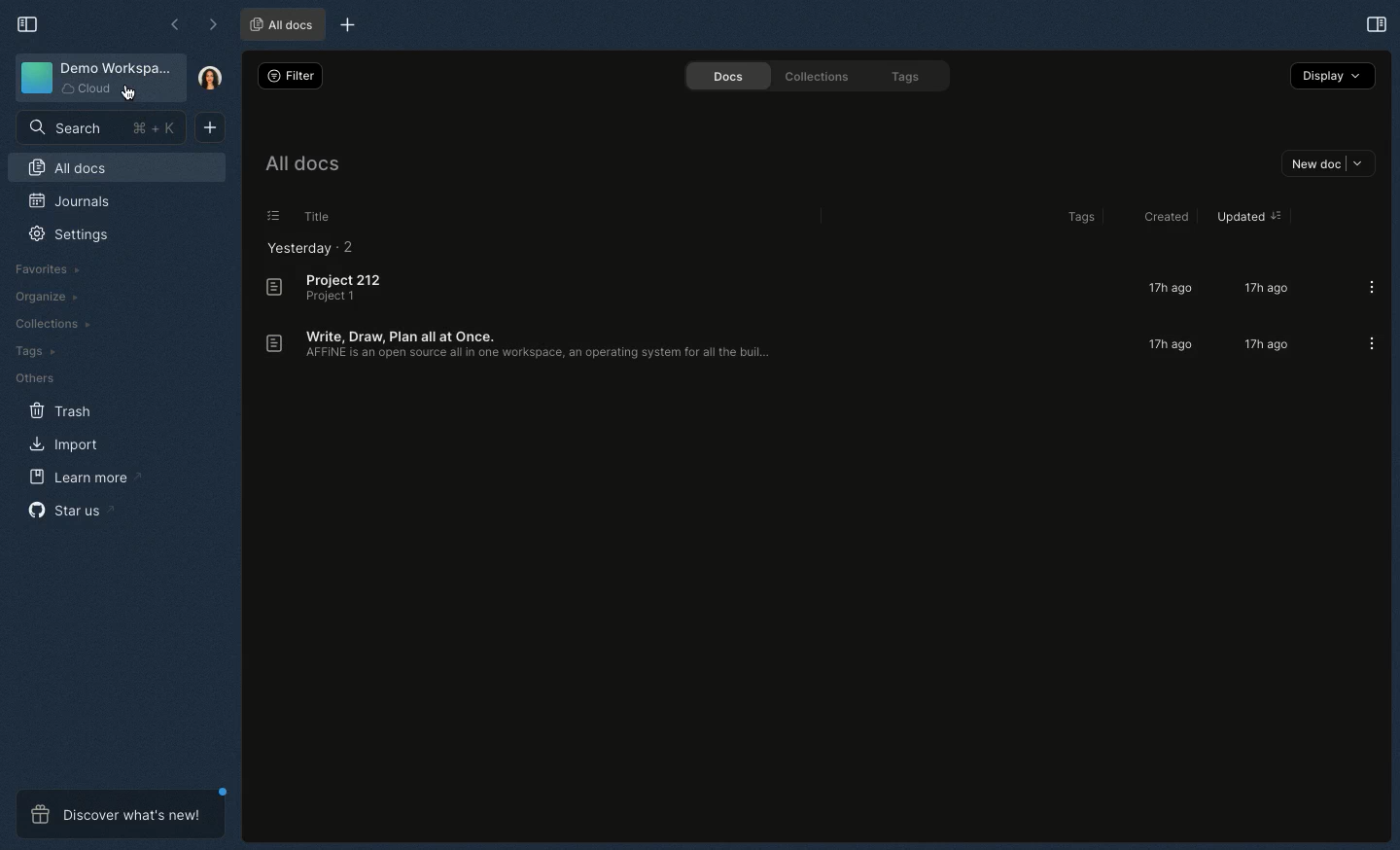 The height and width of the screenshot is (850, 1400). What do you see at coordinates (321, 214) in the screenshot?
I see `Title` at bounding box center [321, 214].